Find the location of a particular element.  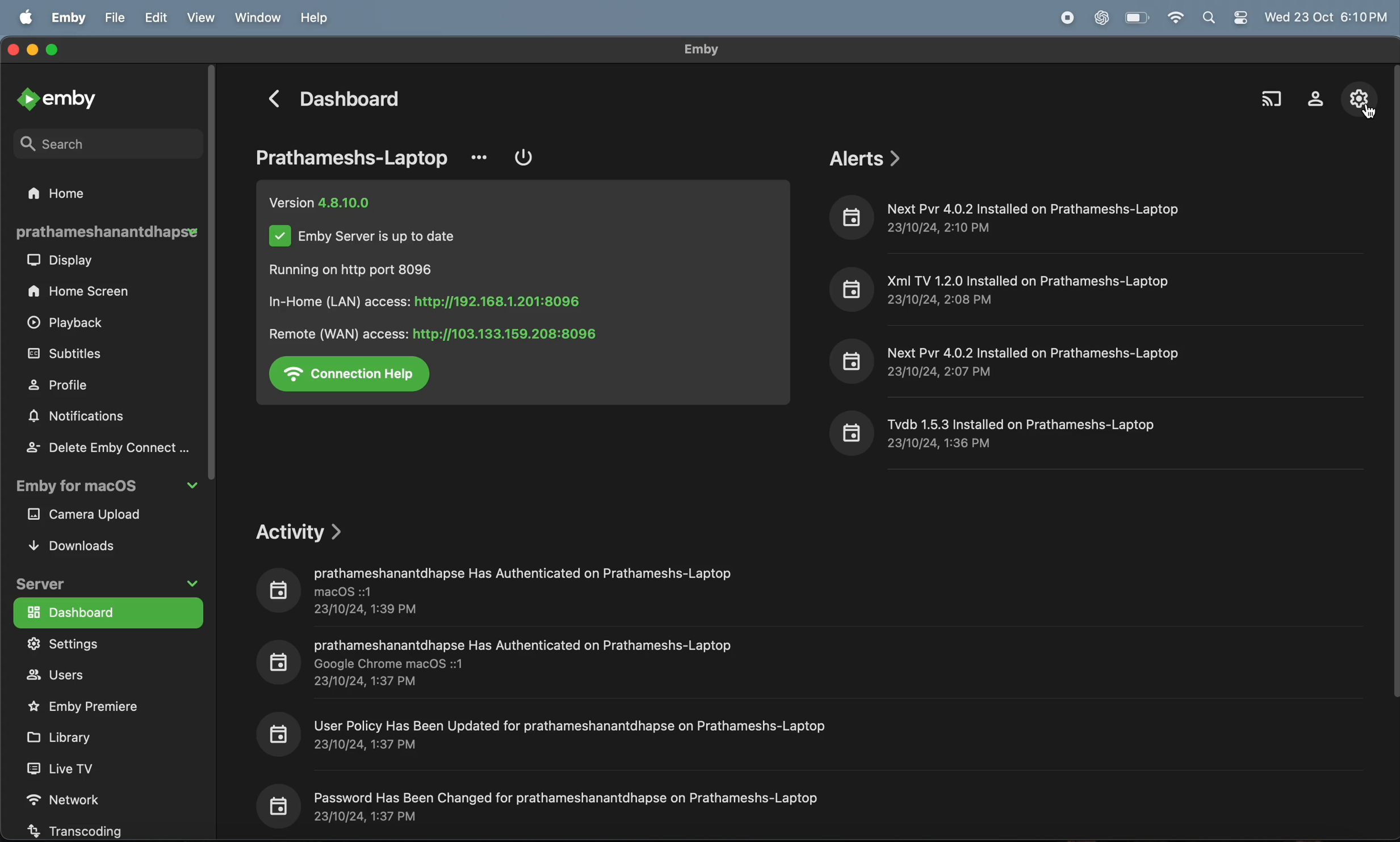

display is located at coordinates (66, 262).